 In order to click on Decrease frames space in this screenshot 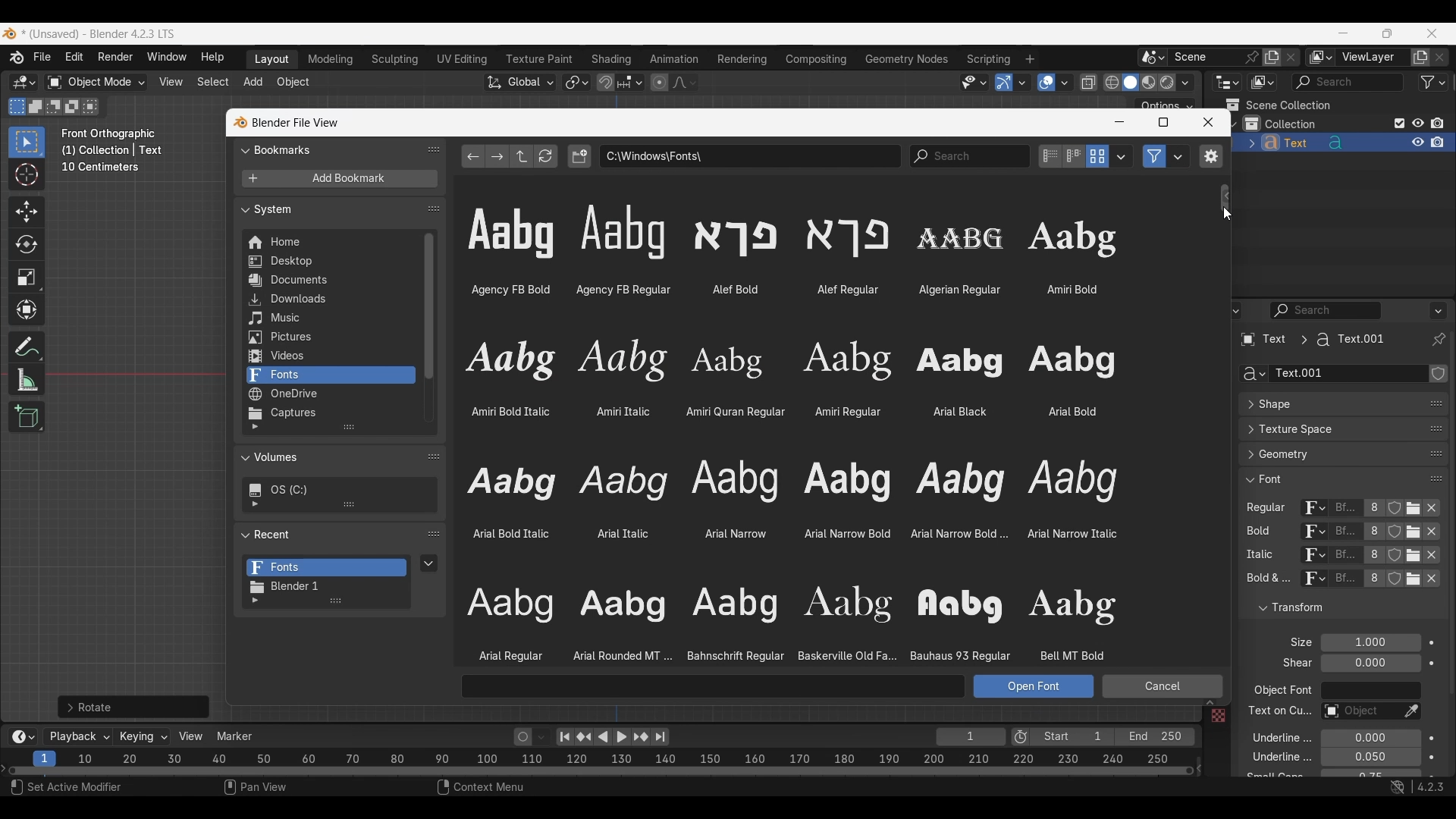, I will do `click(1200, 767)`.